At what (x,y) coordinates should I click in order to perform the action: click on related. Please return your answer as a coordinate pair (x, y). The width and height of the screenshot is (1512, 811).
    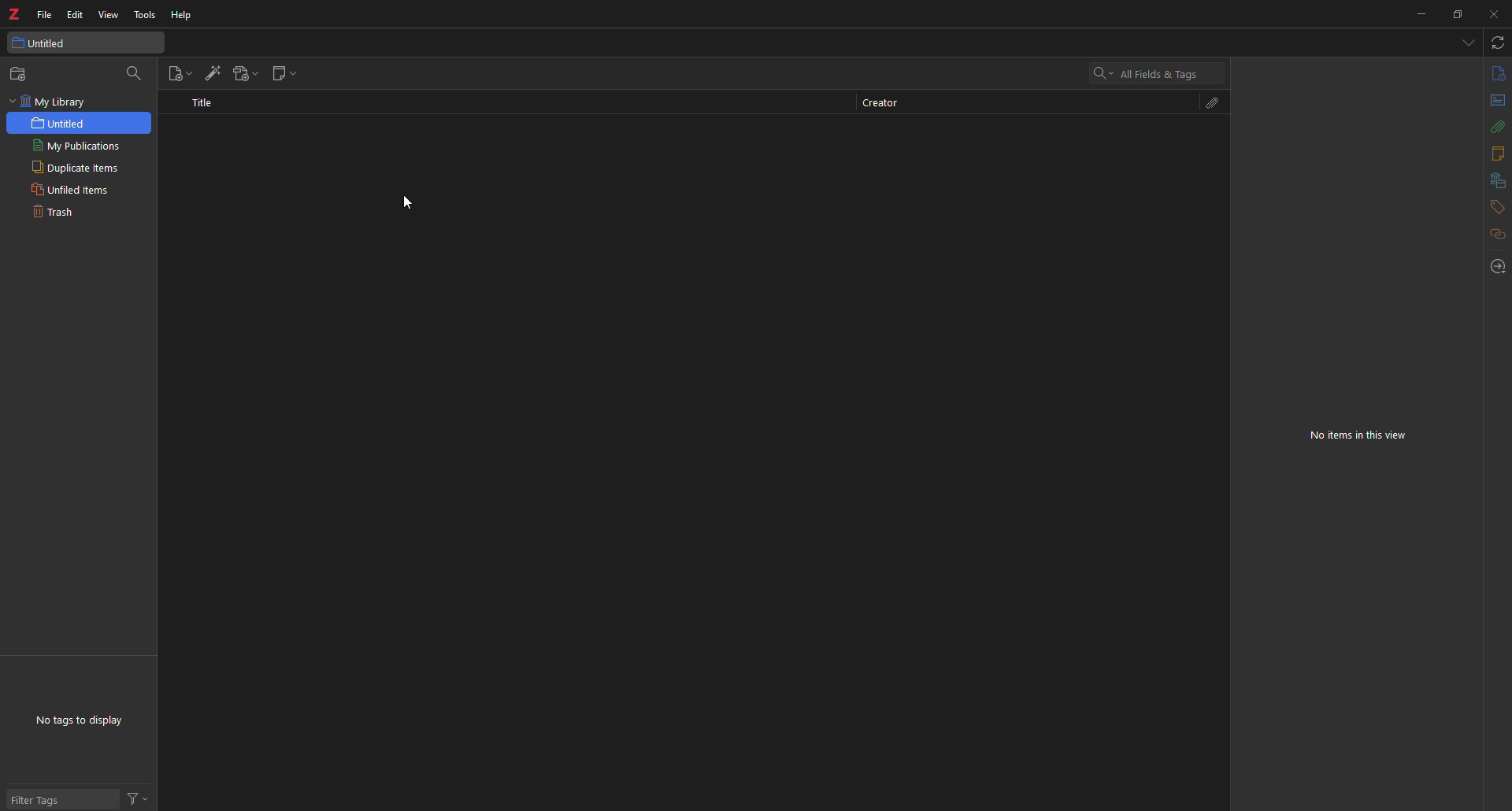
    Looking at the image, I should click on (1499, 235).